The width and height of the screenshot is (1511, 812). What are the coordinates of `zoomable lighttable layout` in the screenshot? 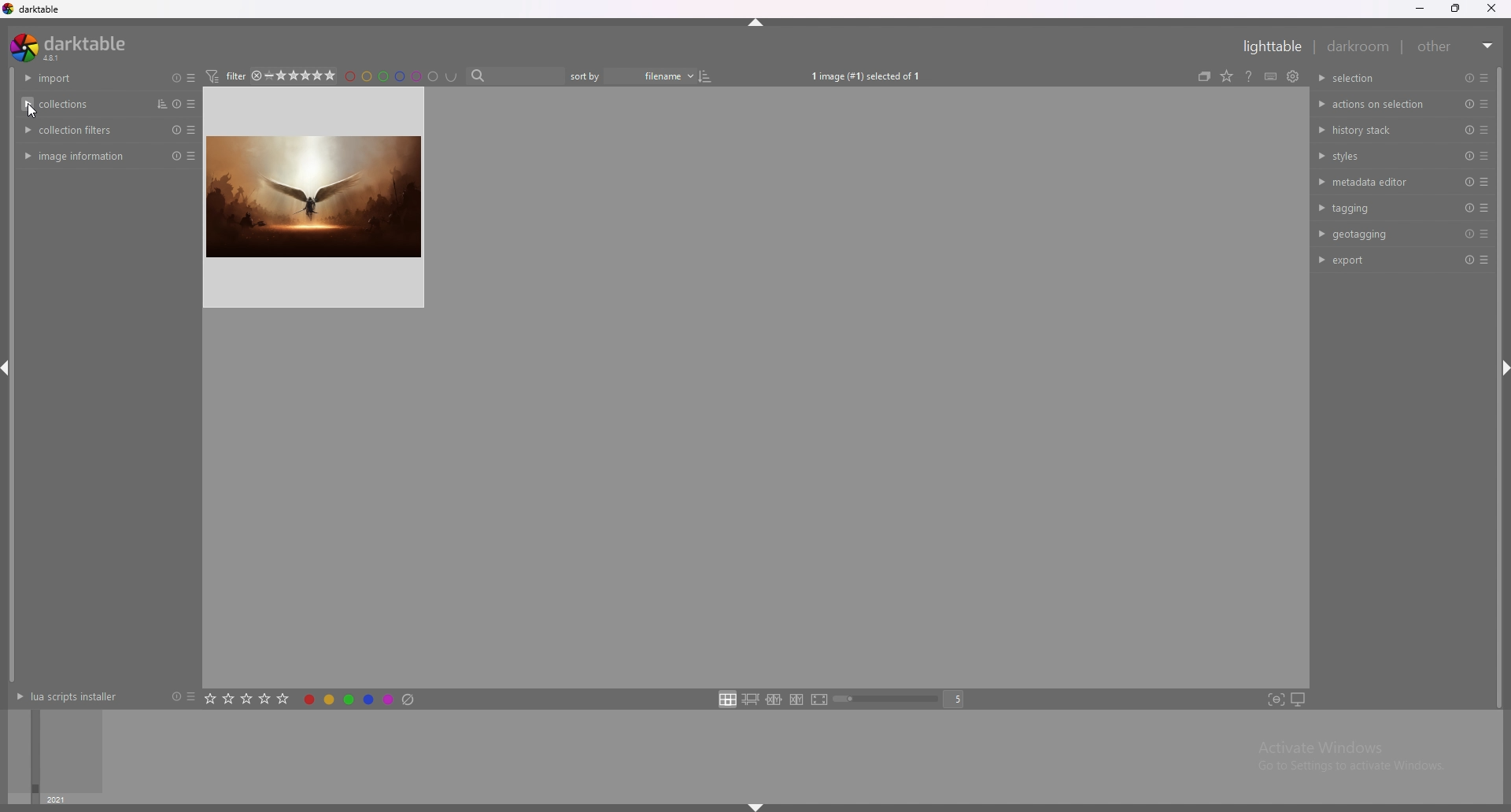 It's located at (750, 699).